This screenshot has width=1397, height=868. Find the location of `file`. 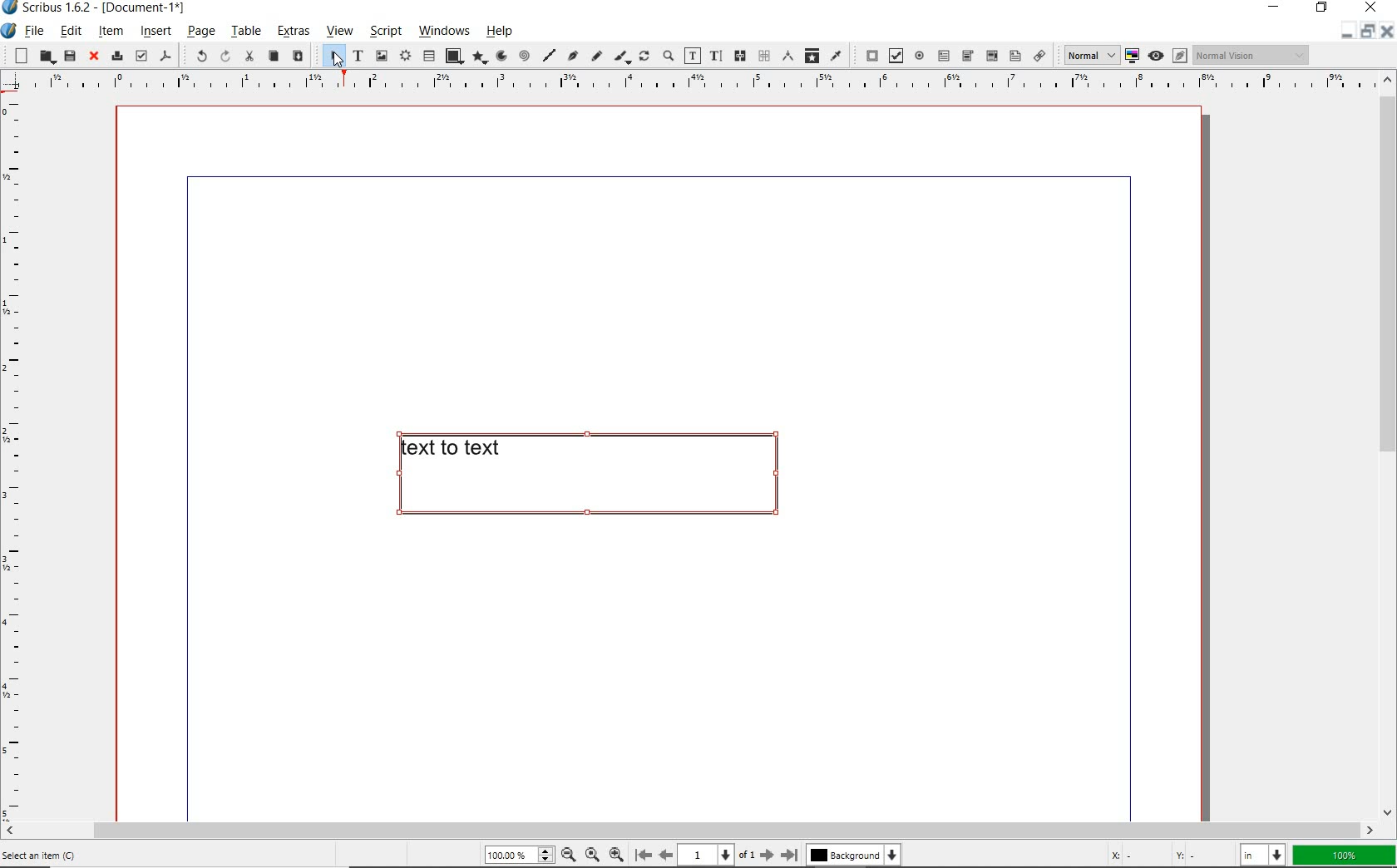

file is located at coordinates (35, 32).